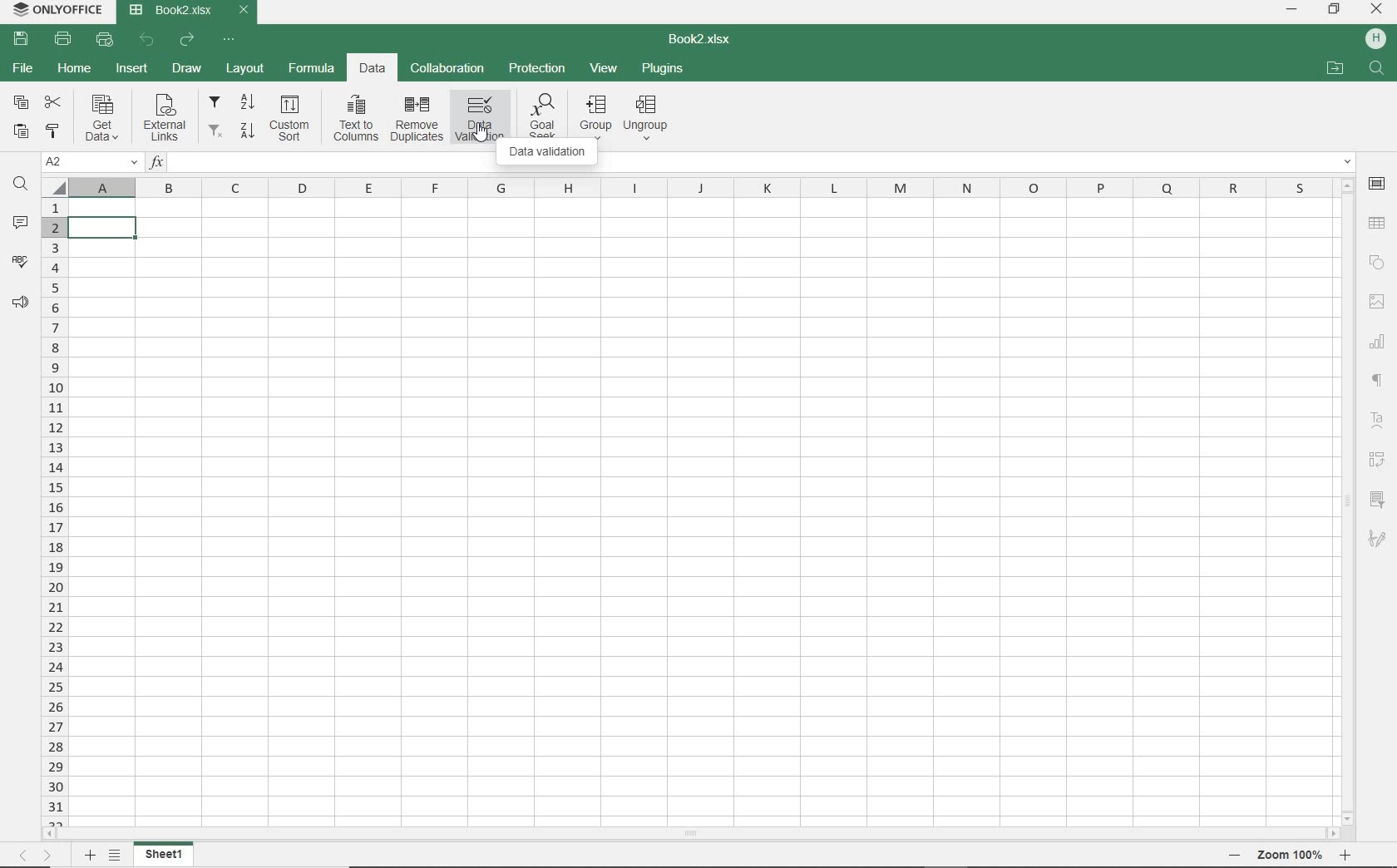 This screenshot has width=1397, height=868. Describe the element at coordinates (1377, 460) in the screenshot. I see `PIVOT table` at that location.